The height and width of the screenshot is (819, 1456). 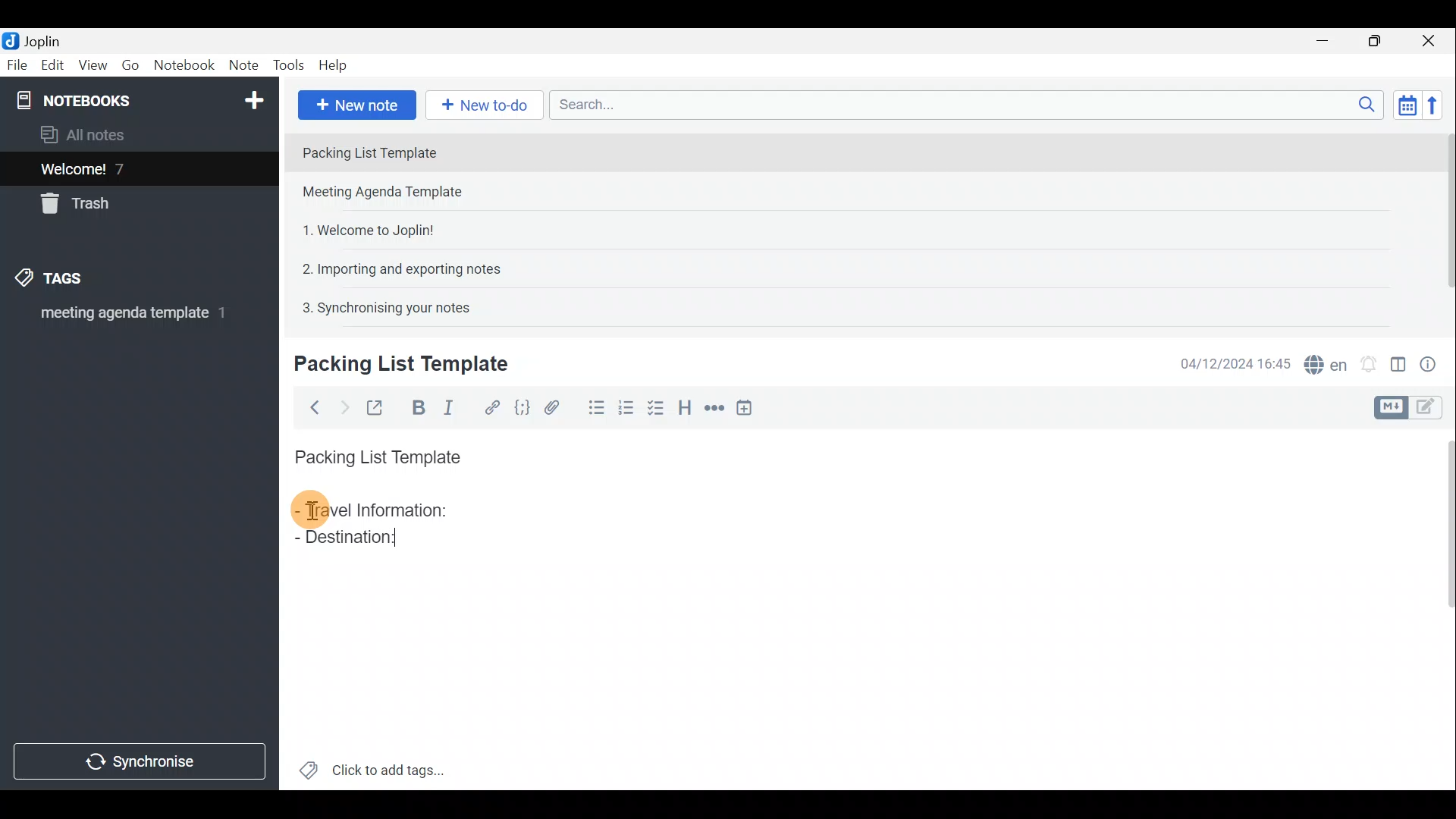 I want to click on Toggle external editing, so click(x=376, y=406).